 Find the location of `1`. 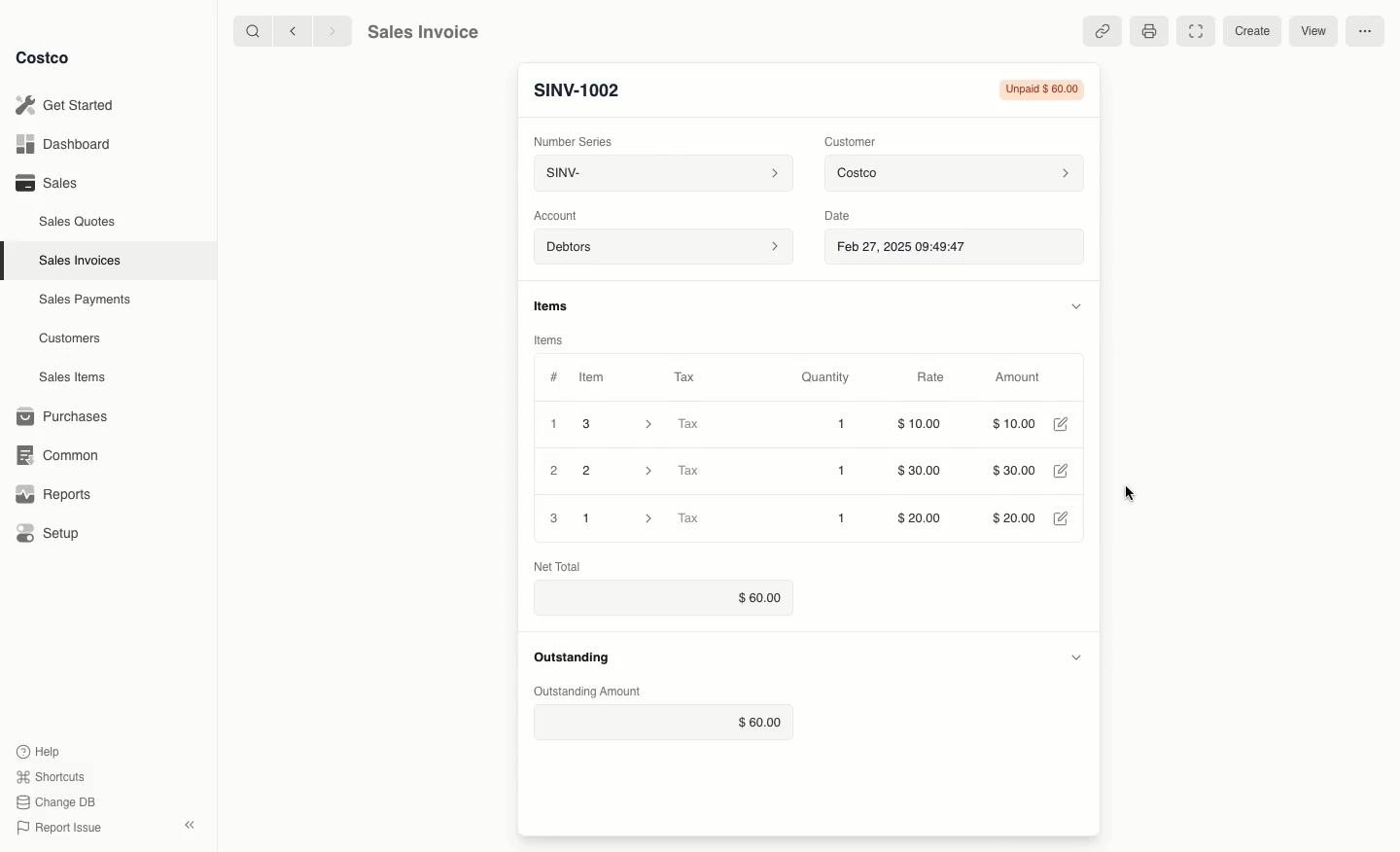

1 is located at coordinates (618, 518).